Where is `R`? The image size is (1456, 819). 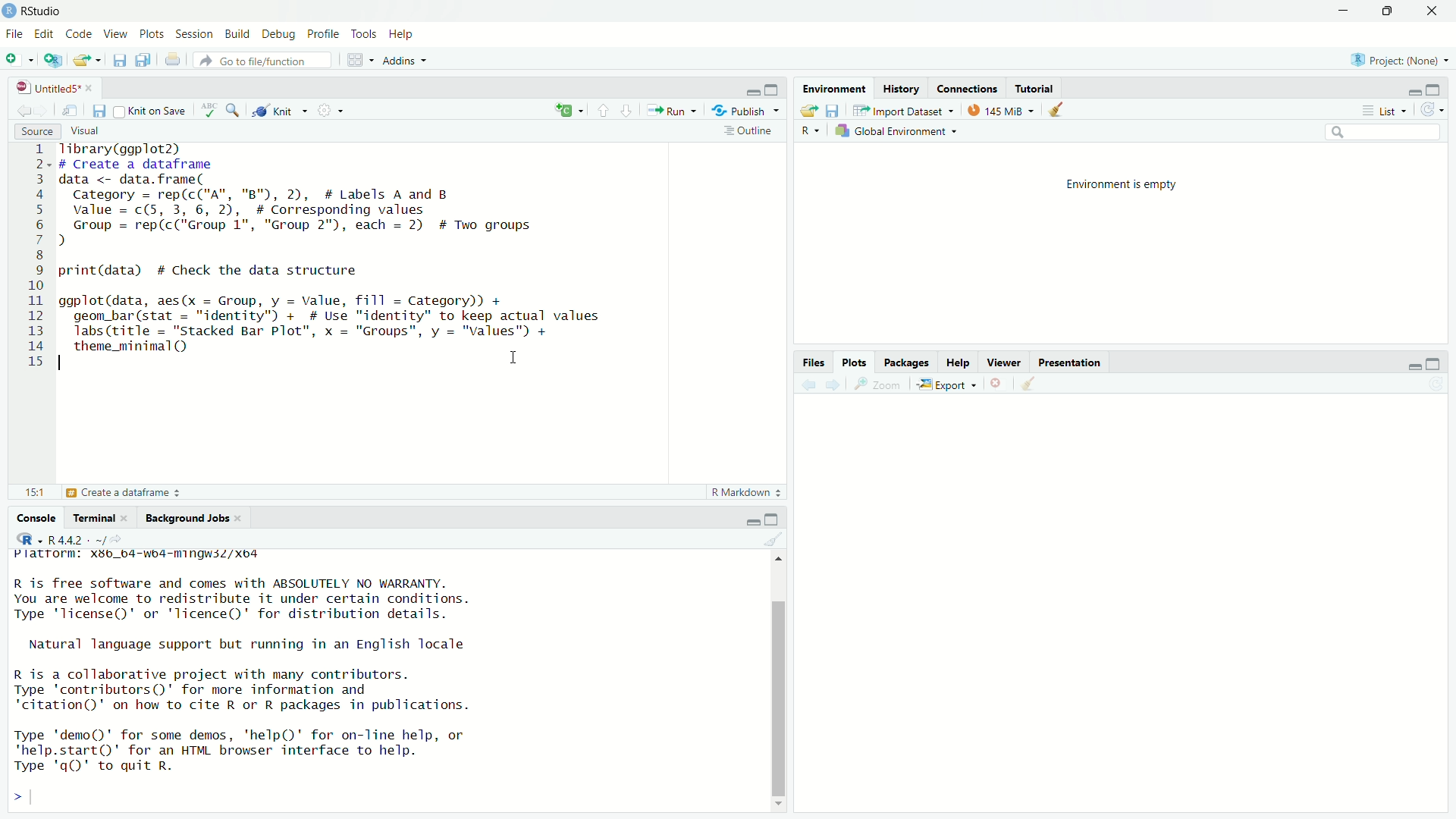
R is located at coordinates (811, 131).